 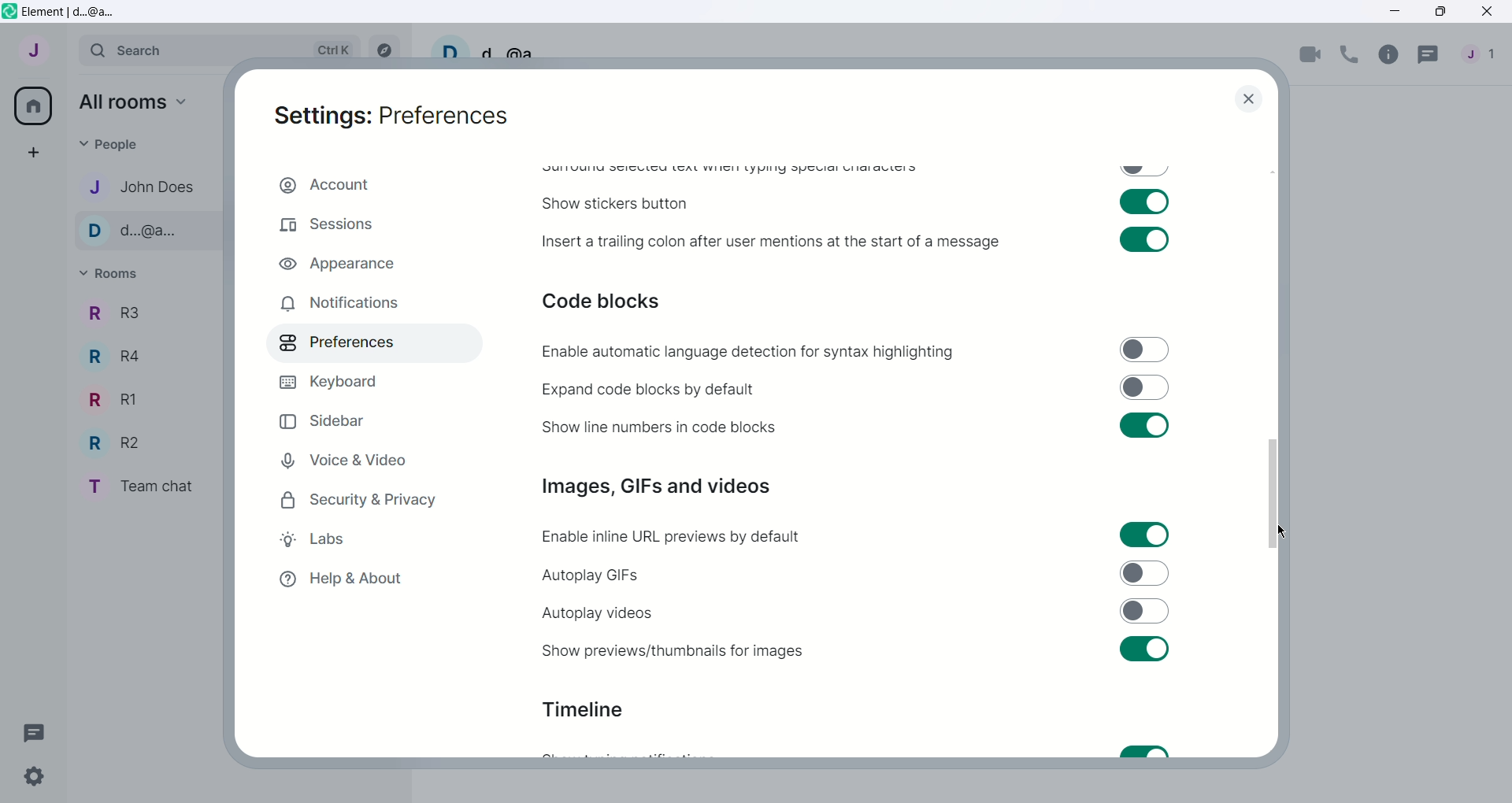 I want to click on d...@a... - Contact name, so click(x=152, y=231).